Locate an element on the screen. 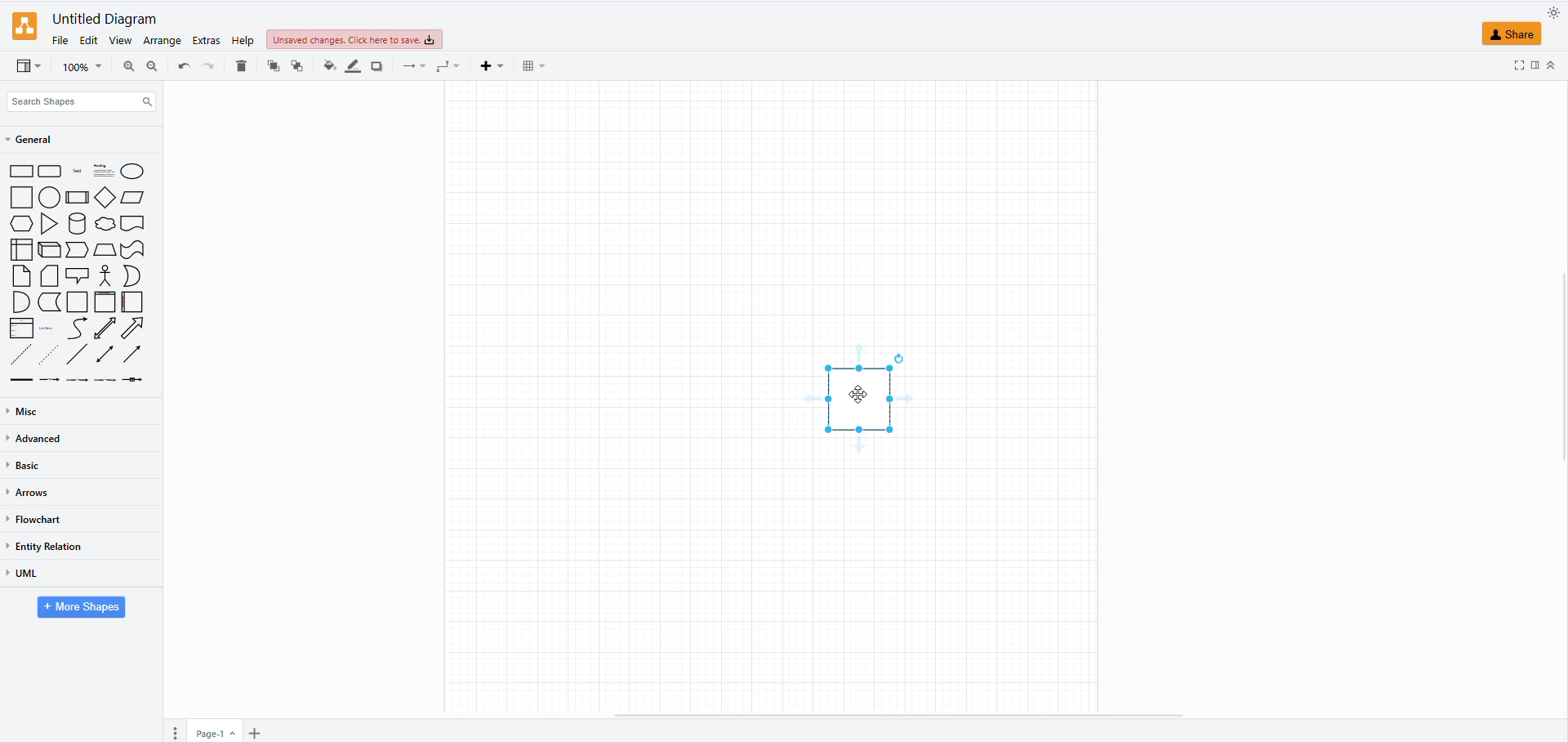 The image size is (1568, 742). actor is located at coordinates (105, 275).